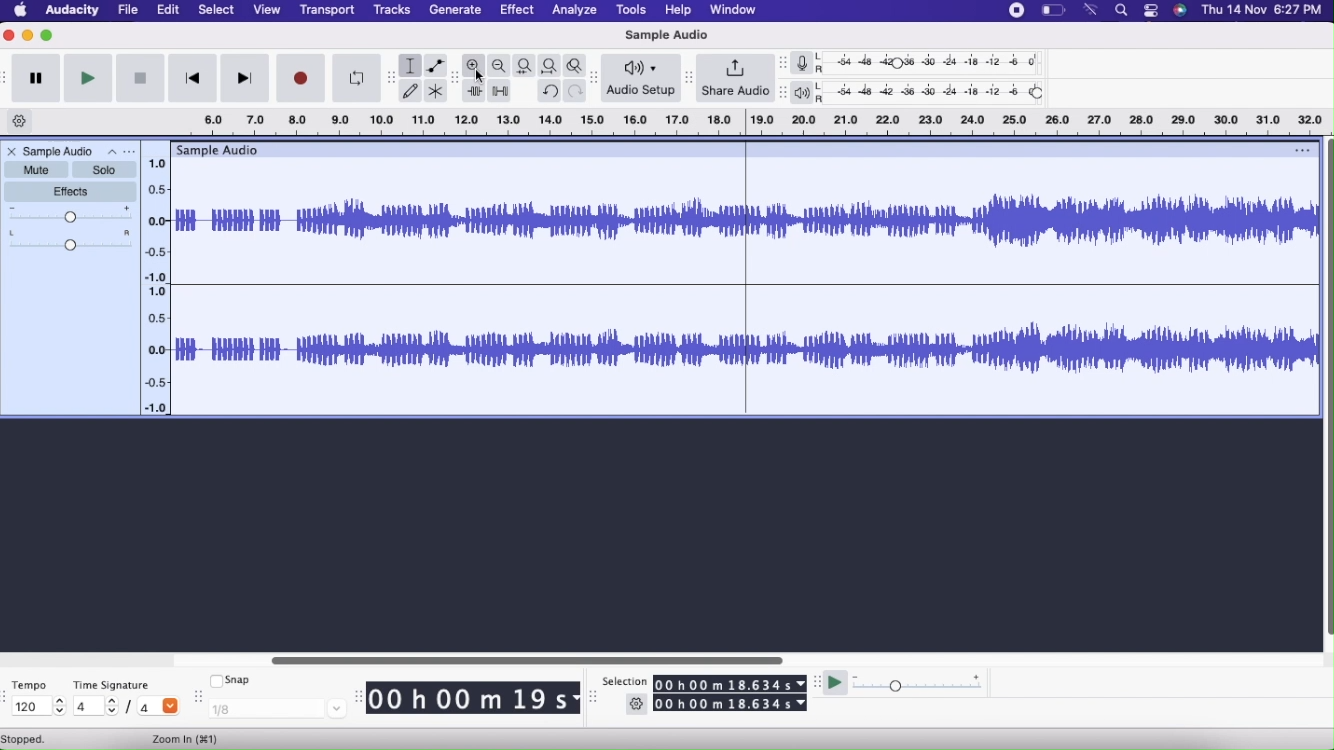  Describe the element at coordinates (34, 739) in the screenshot. I see `stopped` at that location.